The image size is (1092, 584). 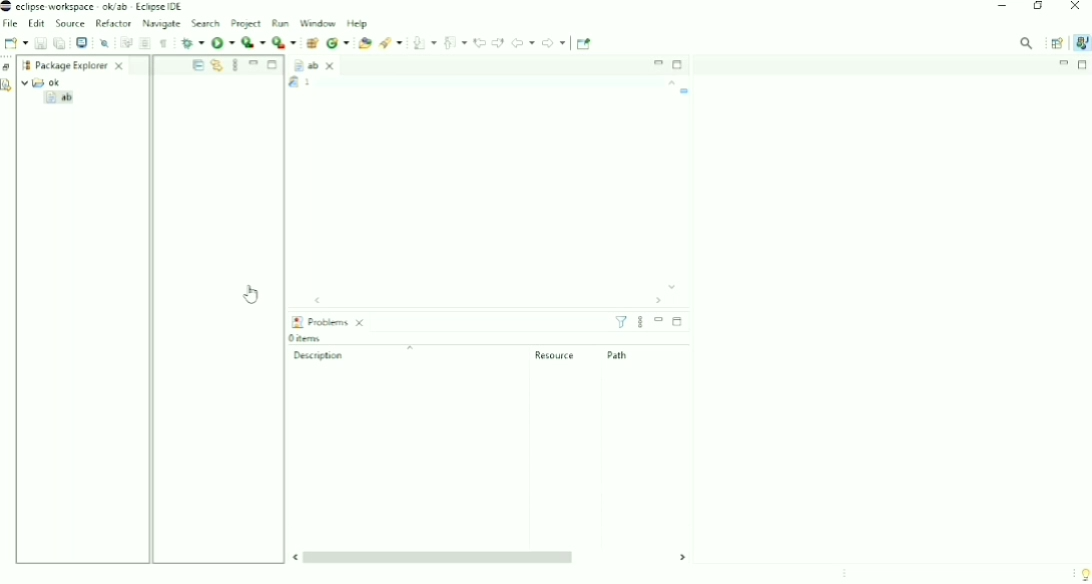 I want to click on Close, so click(x=1076, y=8).